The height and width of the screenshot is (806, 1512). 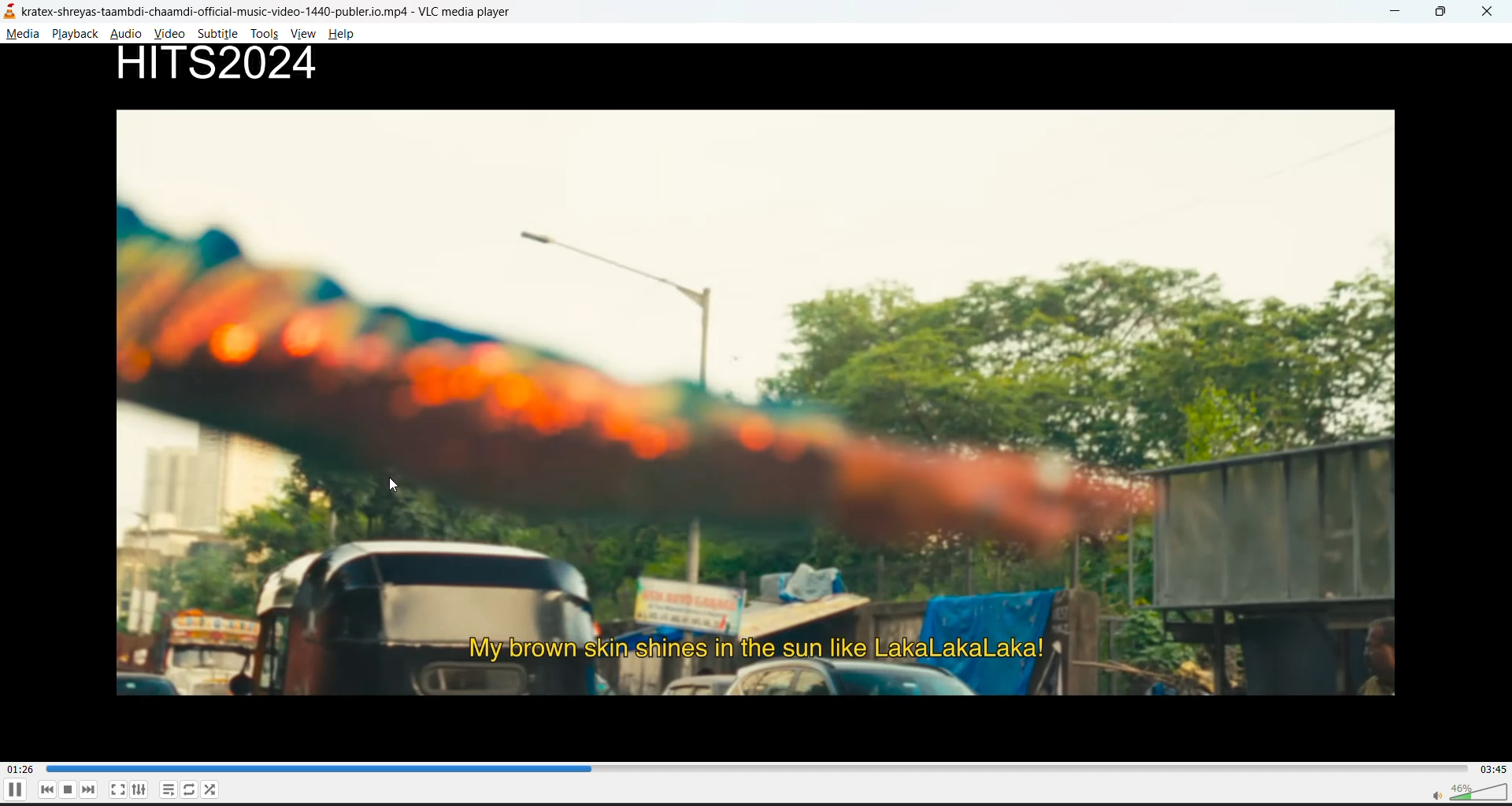 What do you see at coordinates (345, 34) in the screenshot?
I see `help` at bounding box center [345, 34].